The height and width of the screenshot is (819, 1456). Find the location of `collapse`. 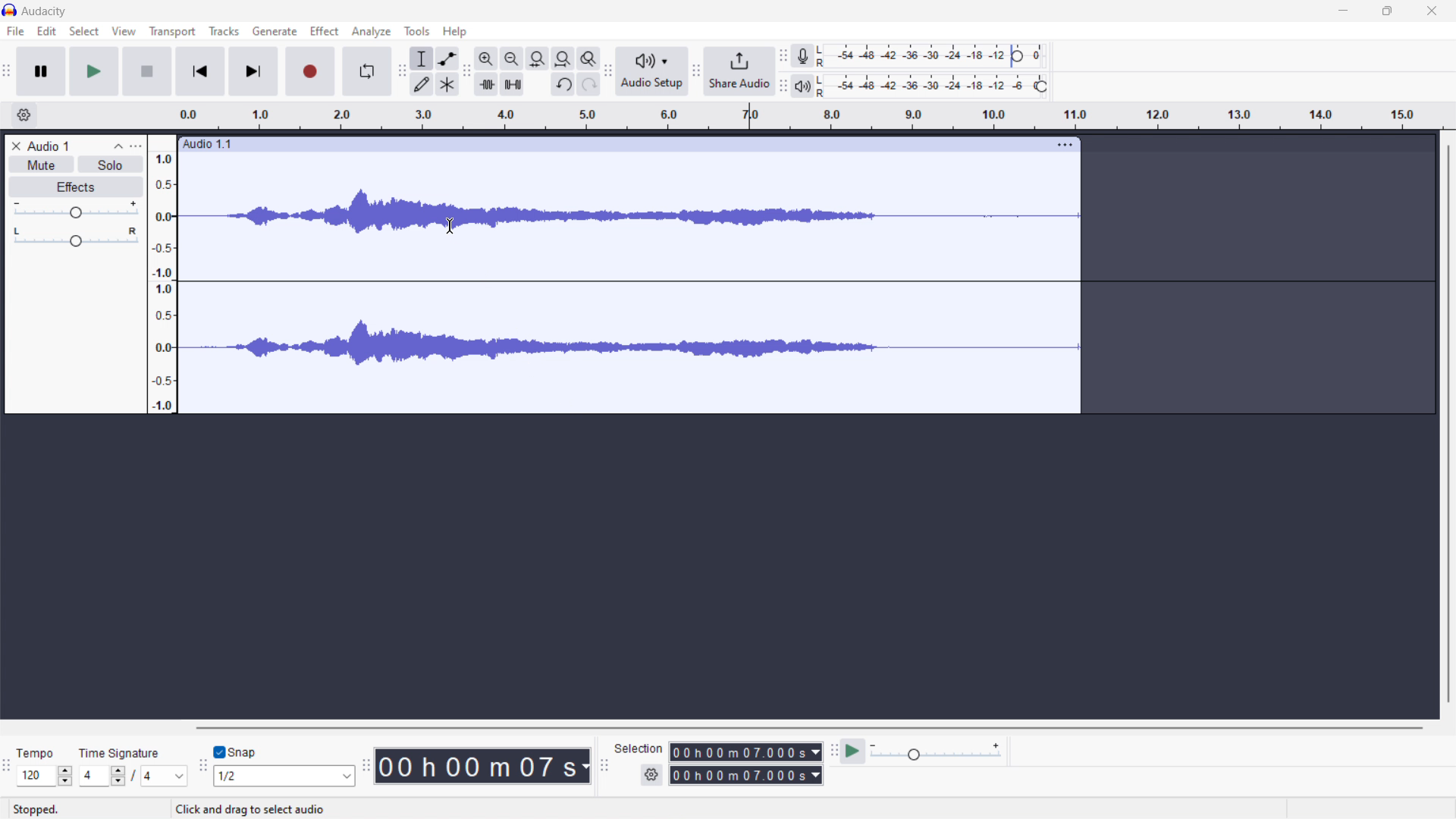

collapse is located at coordinates (118, 145).